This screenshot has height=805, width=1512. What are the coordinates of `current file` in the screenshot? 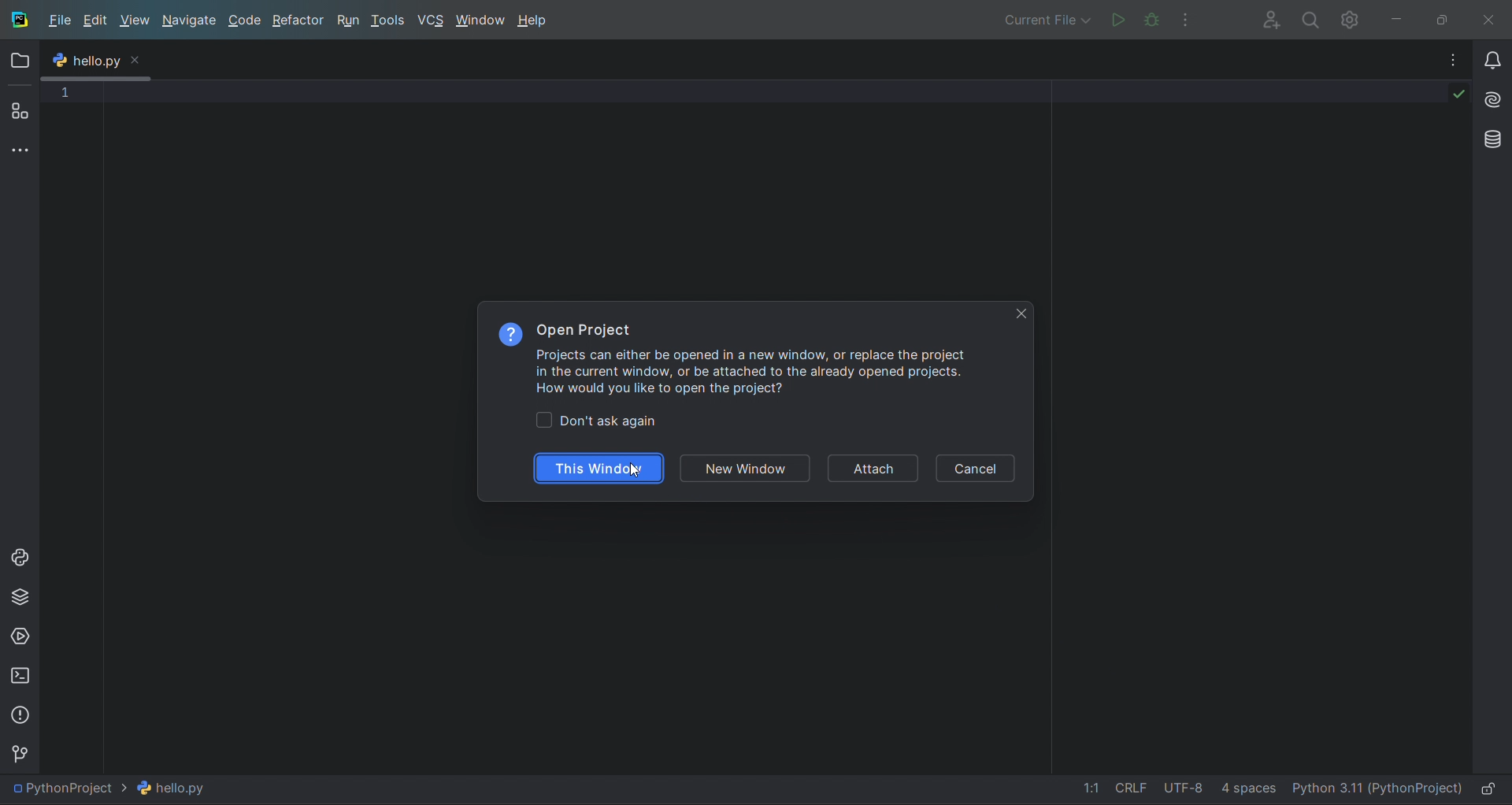 It's located at (117, 788).